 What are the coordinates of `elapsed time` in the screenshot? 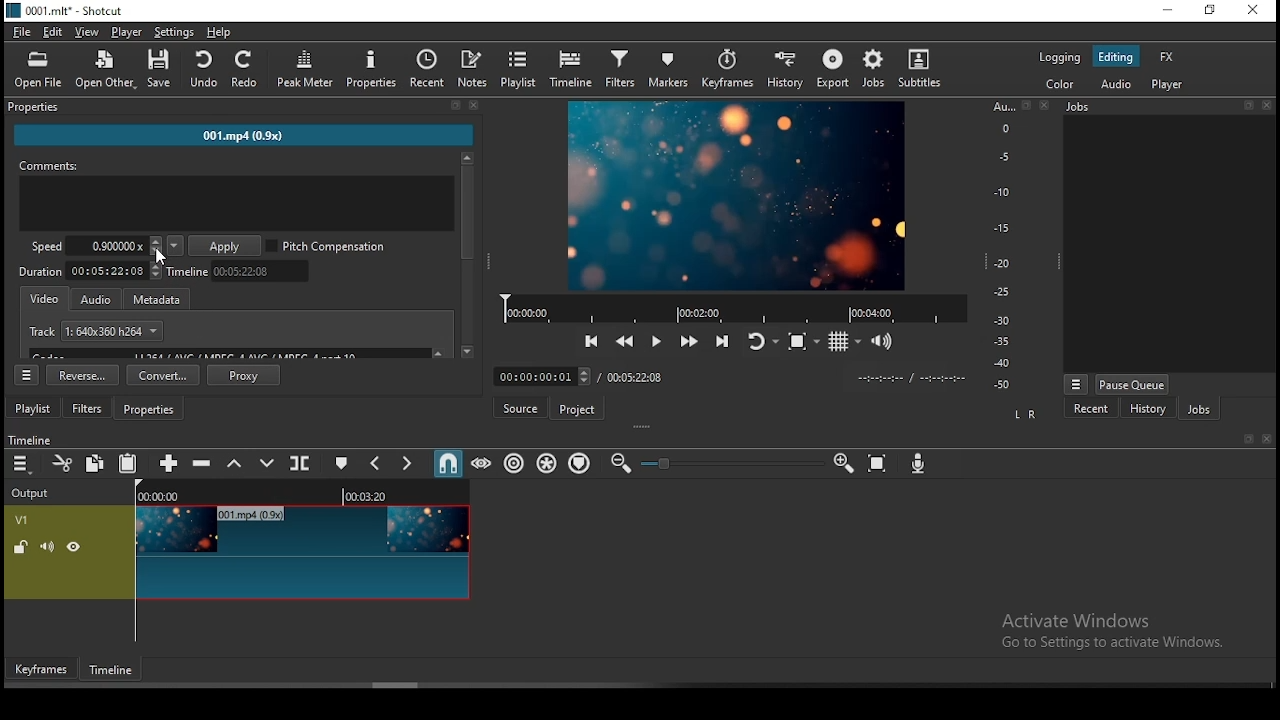 It's located at (540, 375).